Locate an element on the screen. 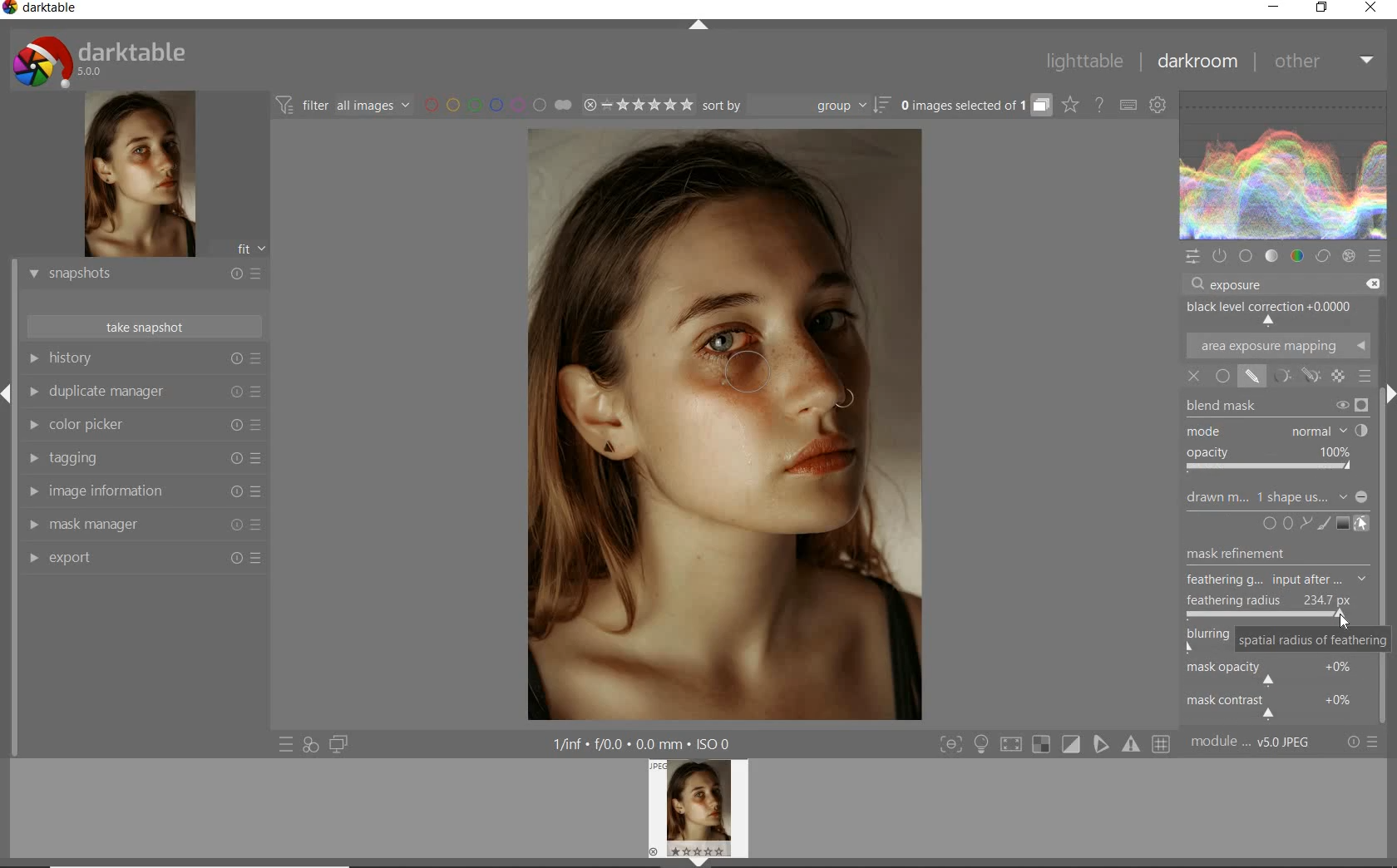 The width and height of the screenshot is (1397, 868). minimize is located at coordinates (1273, 7).